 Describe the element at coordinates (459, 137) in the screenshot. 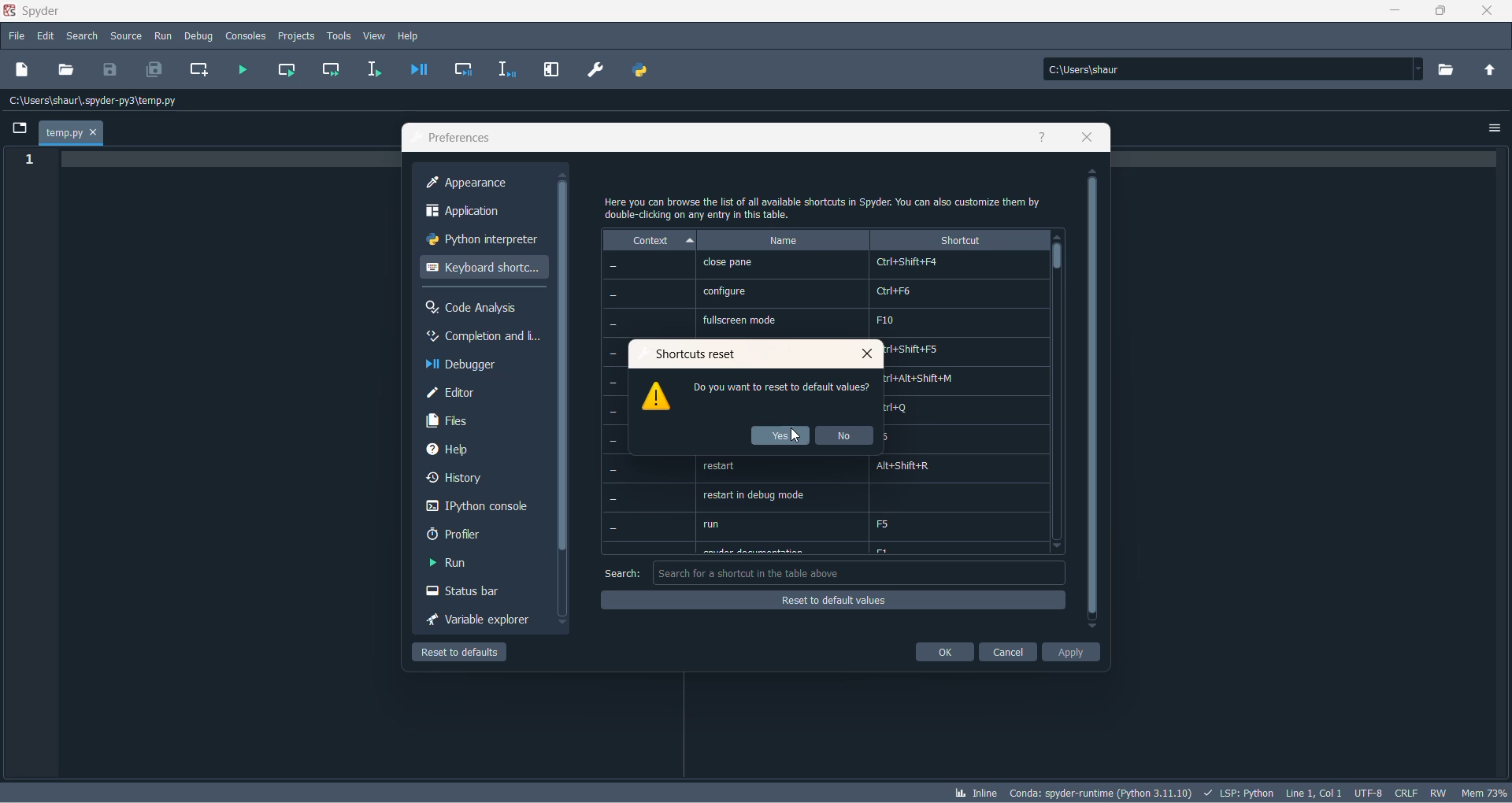

I see `preferences` at that location.